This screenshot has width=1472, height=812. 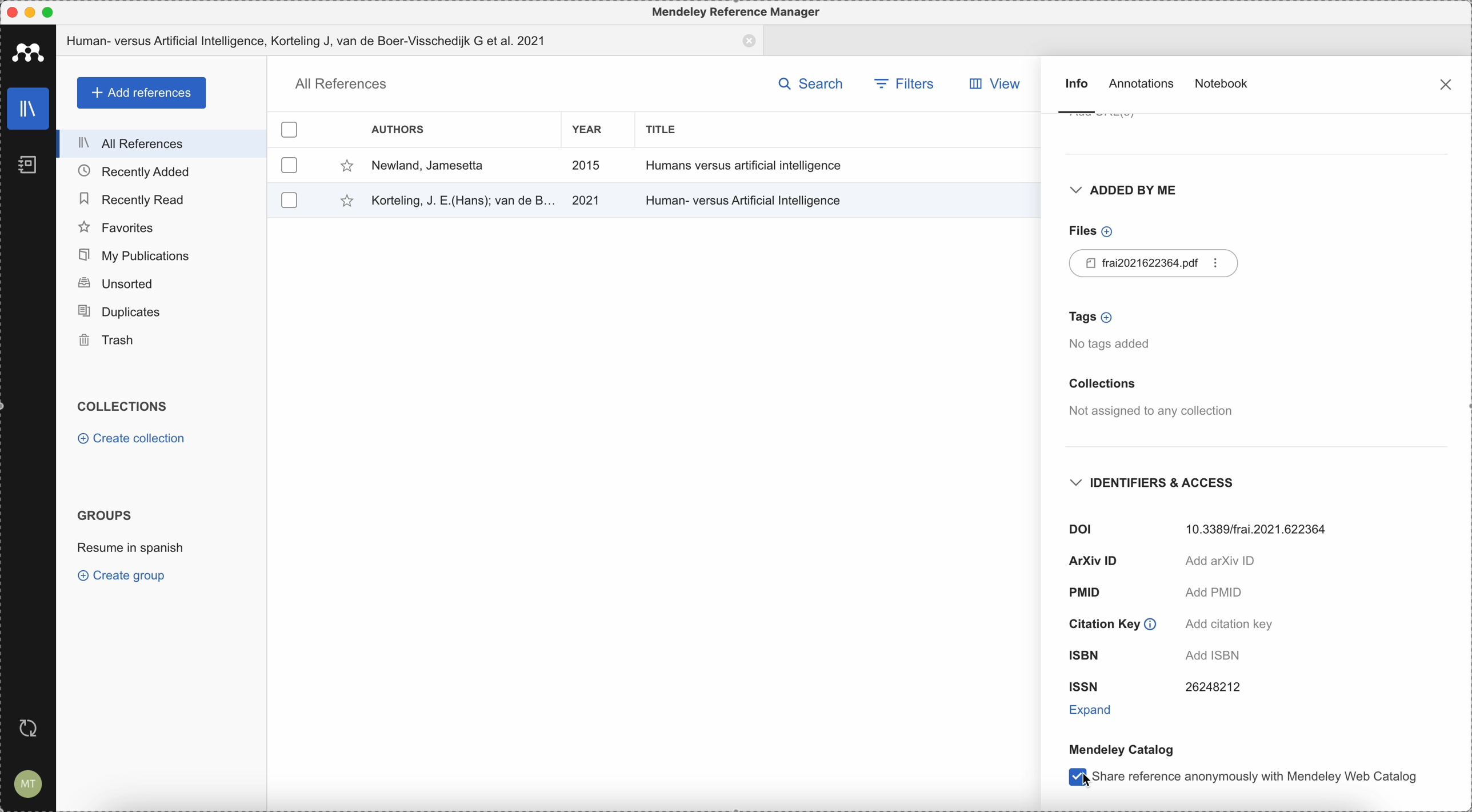 I want to click on Human versus Artificial Intelligence, Korteling J; van de Boer-Vesschedjk et al. 2021, so click(x=410, y=41).